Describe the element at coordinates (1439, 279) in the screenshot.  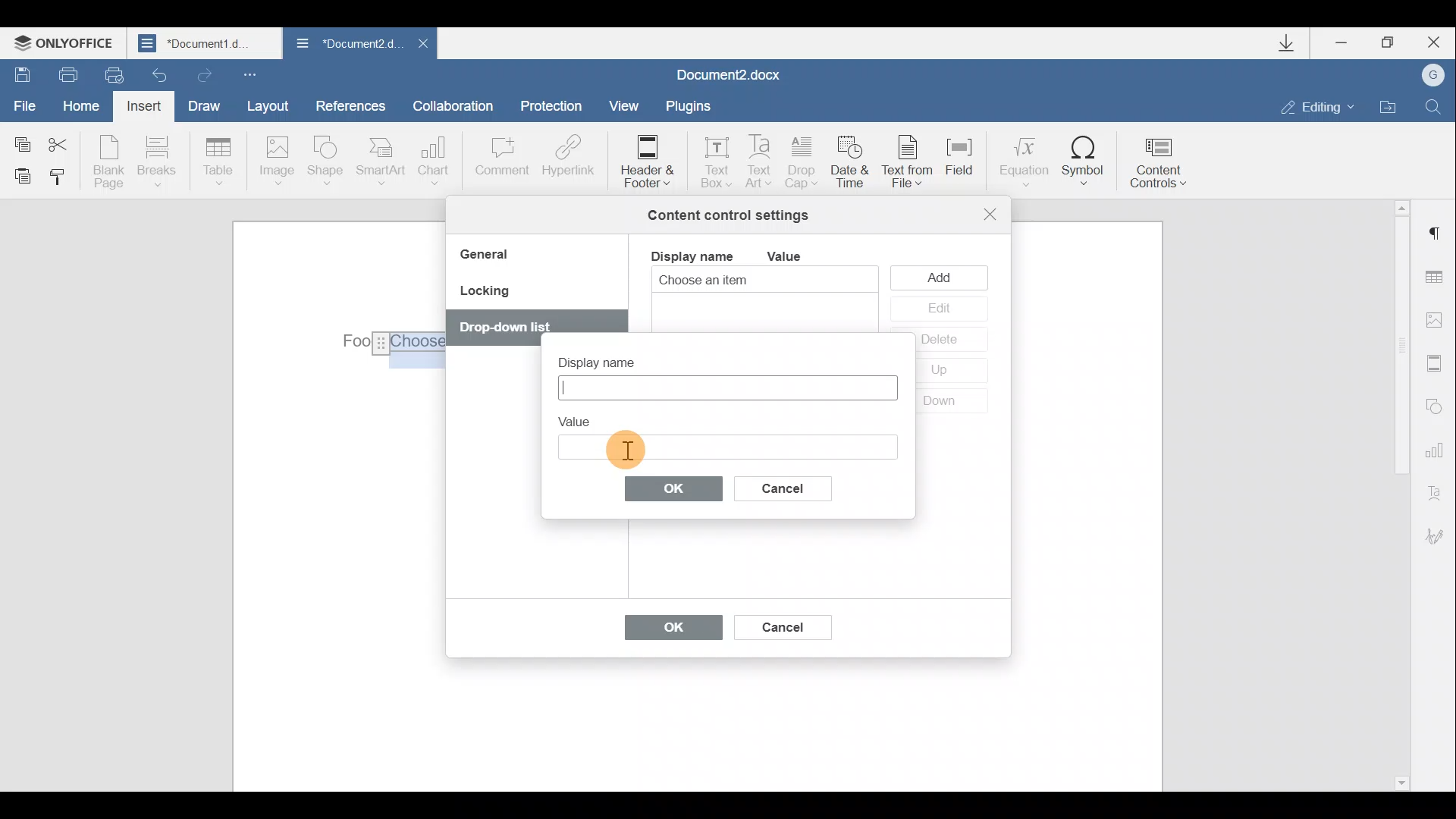
I see `Table settings` at that location.